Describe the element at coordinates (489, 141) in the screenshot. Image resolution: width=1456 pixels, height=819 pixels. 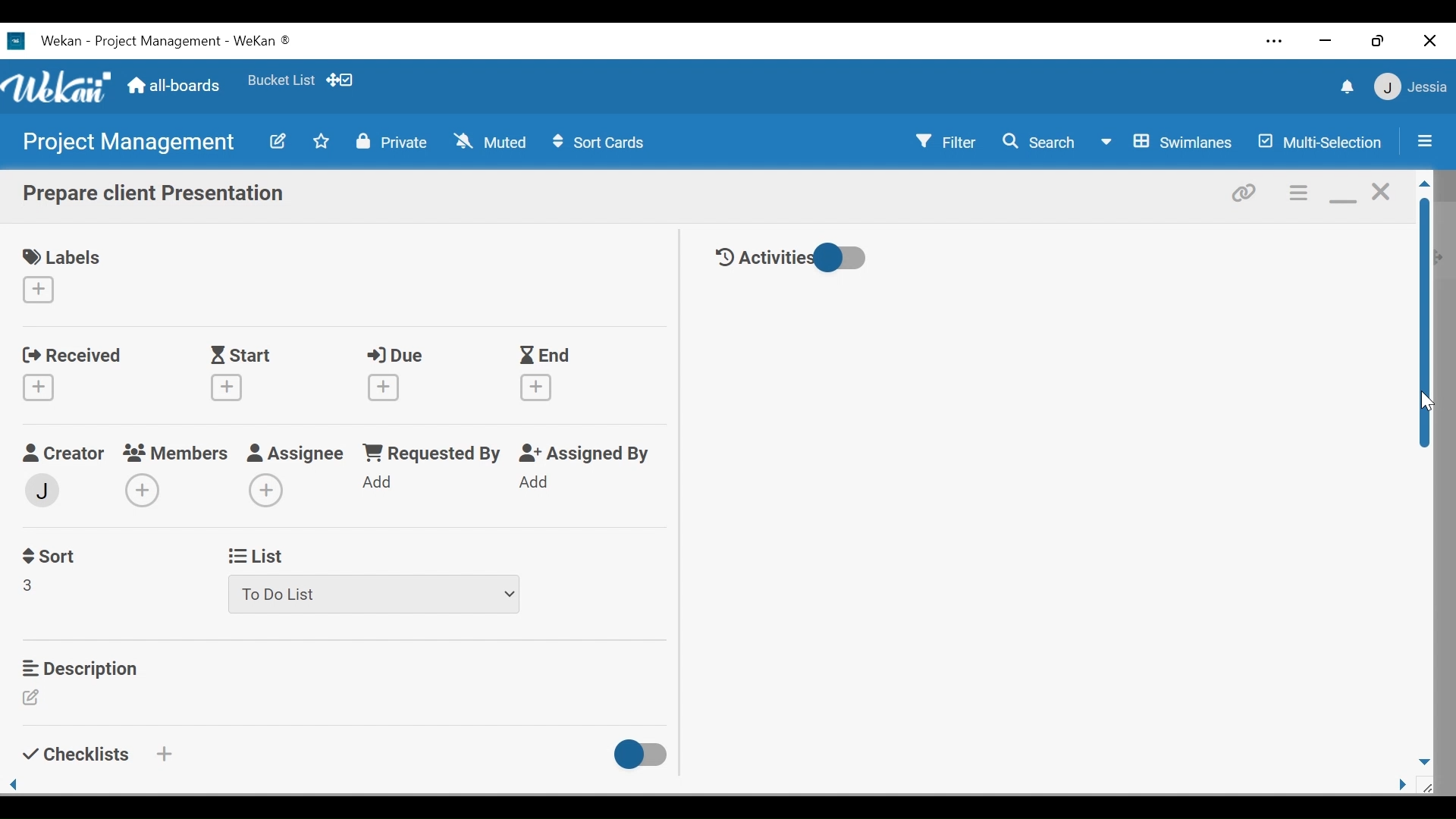
I see `Muted` at that location.